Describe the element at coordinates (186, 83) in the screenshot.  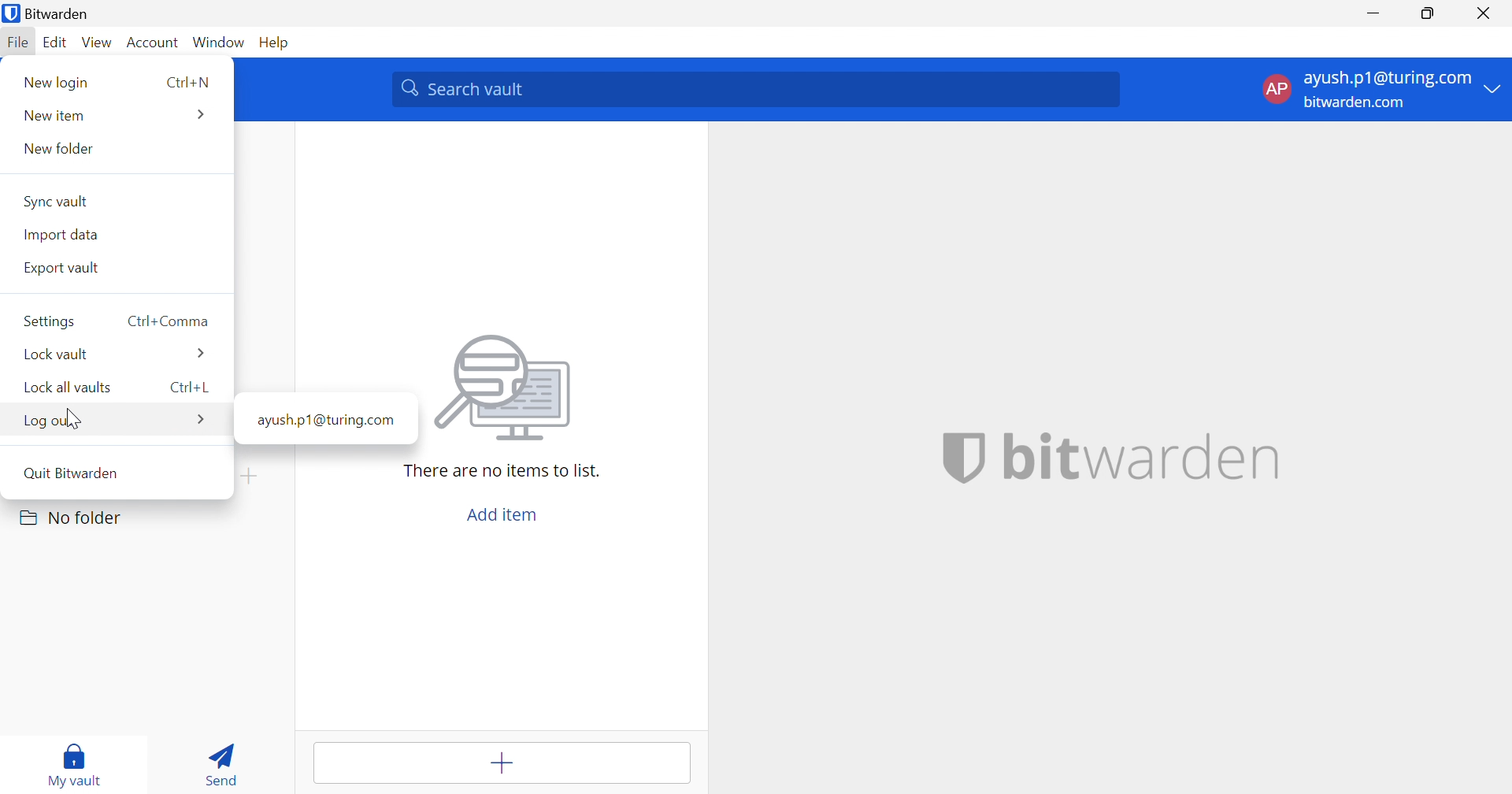
I see `Ctrl+N` at that location.